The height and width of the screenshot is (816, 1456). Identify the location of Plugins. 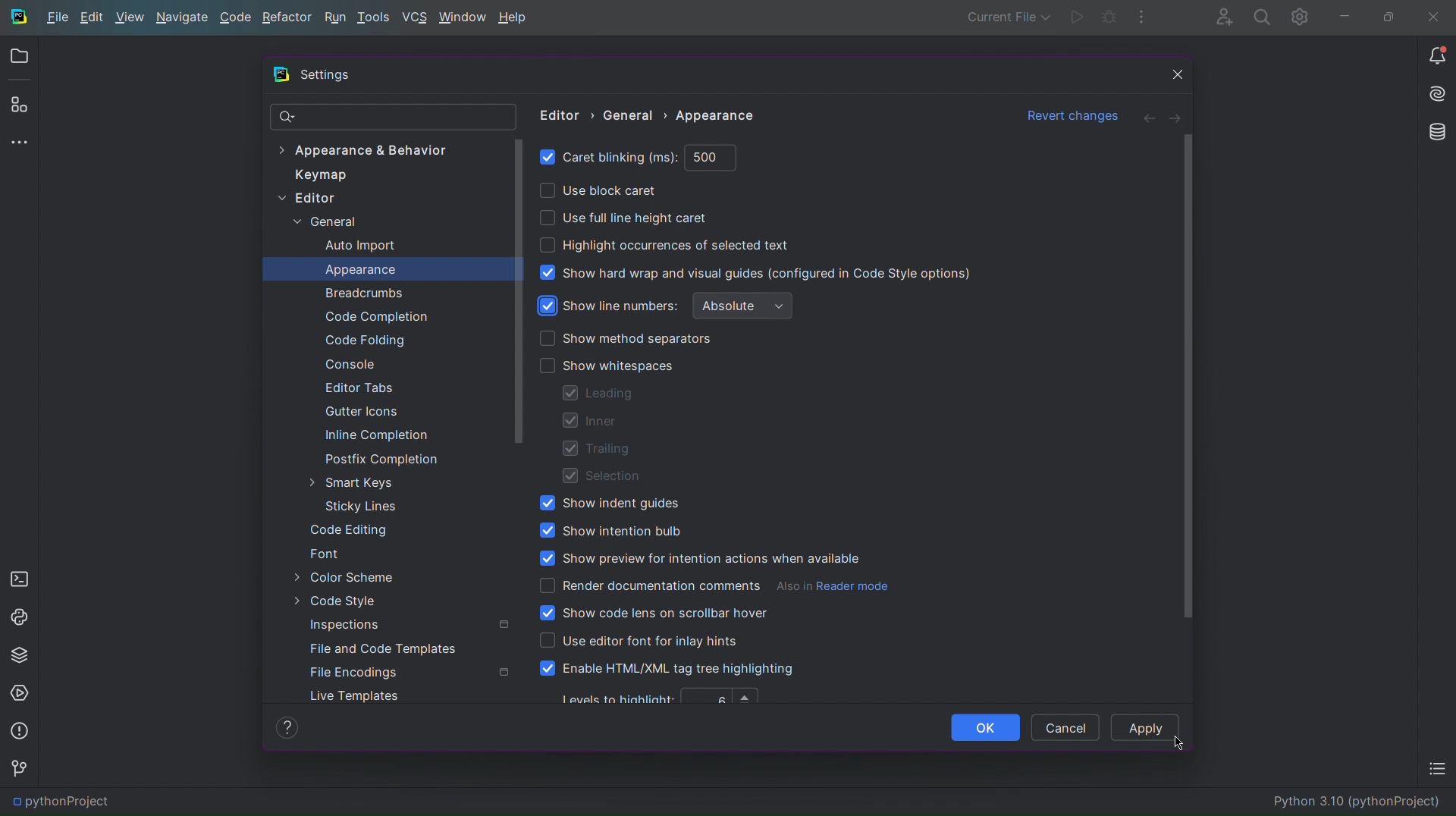
(19, 107).